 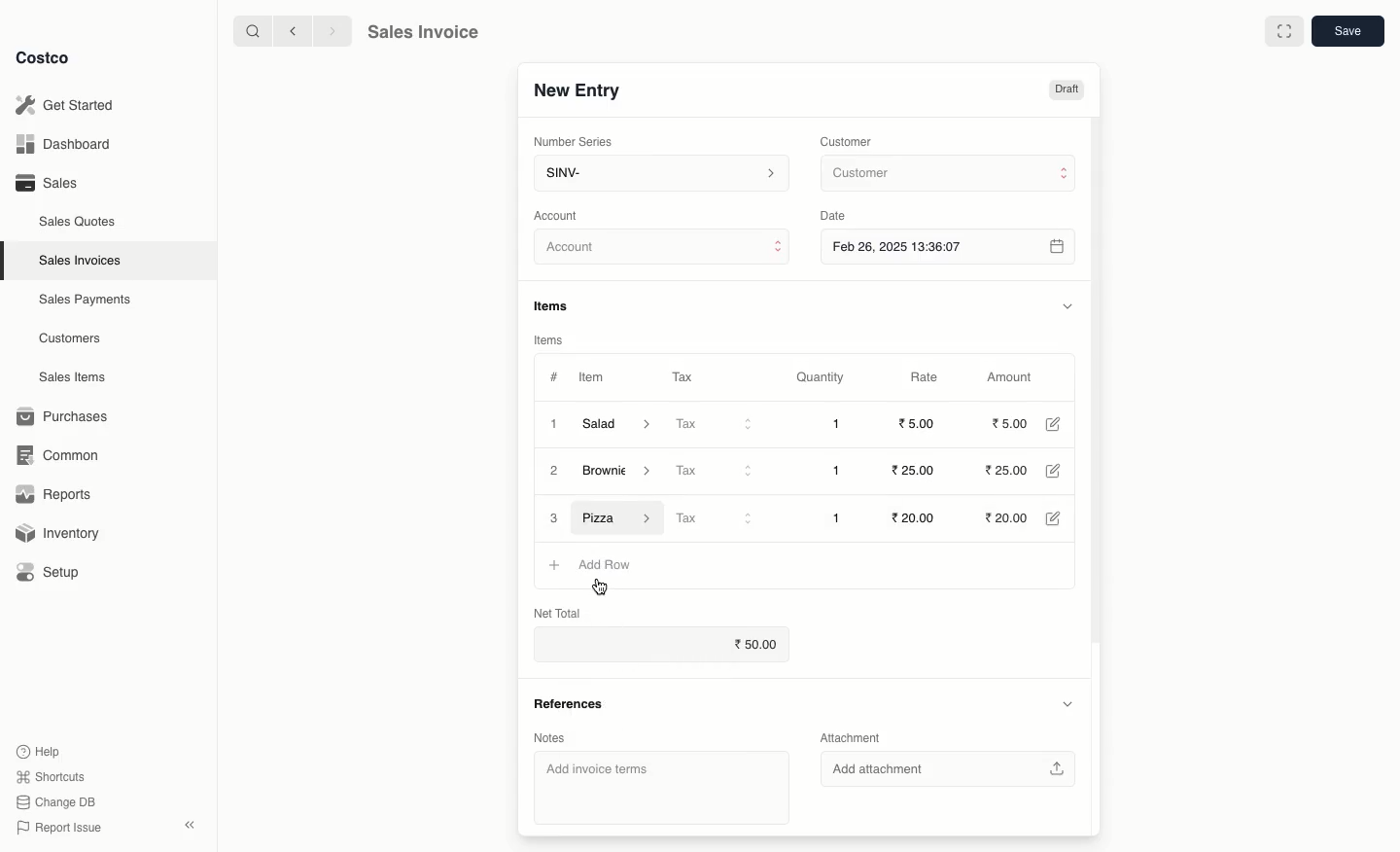 I want to click on 50.00, so click(x=759, y=645).